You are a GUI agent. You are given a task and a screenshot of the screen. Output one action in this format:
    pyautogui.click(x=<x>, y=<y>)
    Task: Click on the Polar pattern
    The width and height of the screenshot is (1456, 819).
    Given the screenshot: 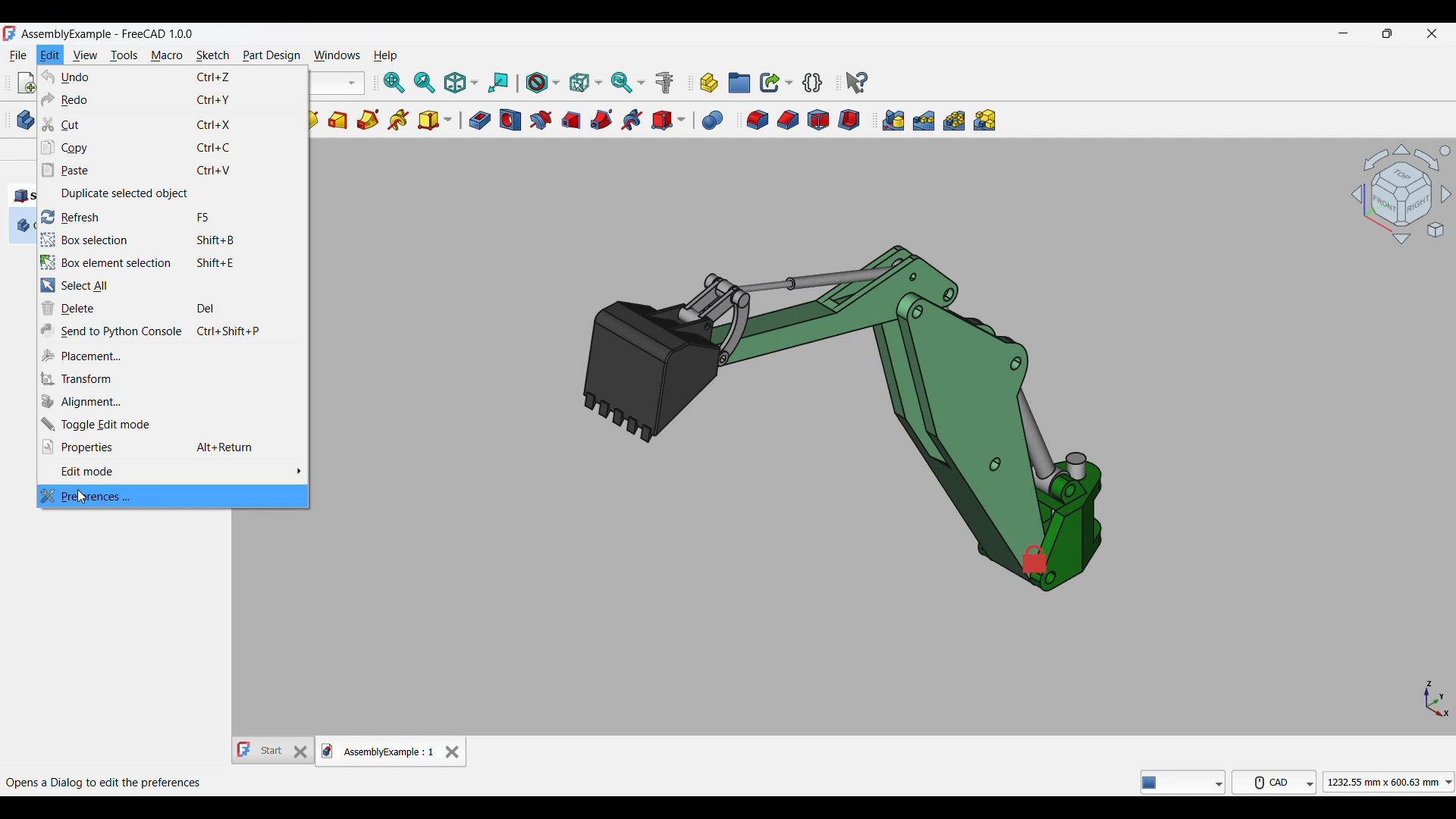 What is the action you would take?
    pyautogui.click(x=955, y=121)
    